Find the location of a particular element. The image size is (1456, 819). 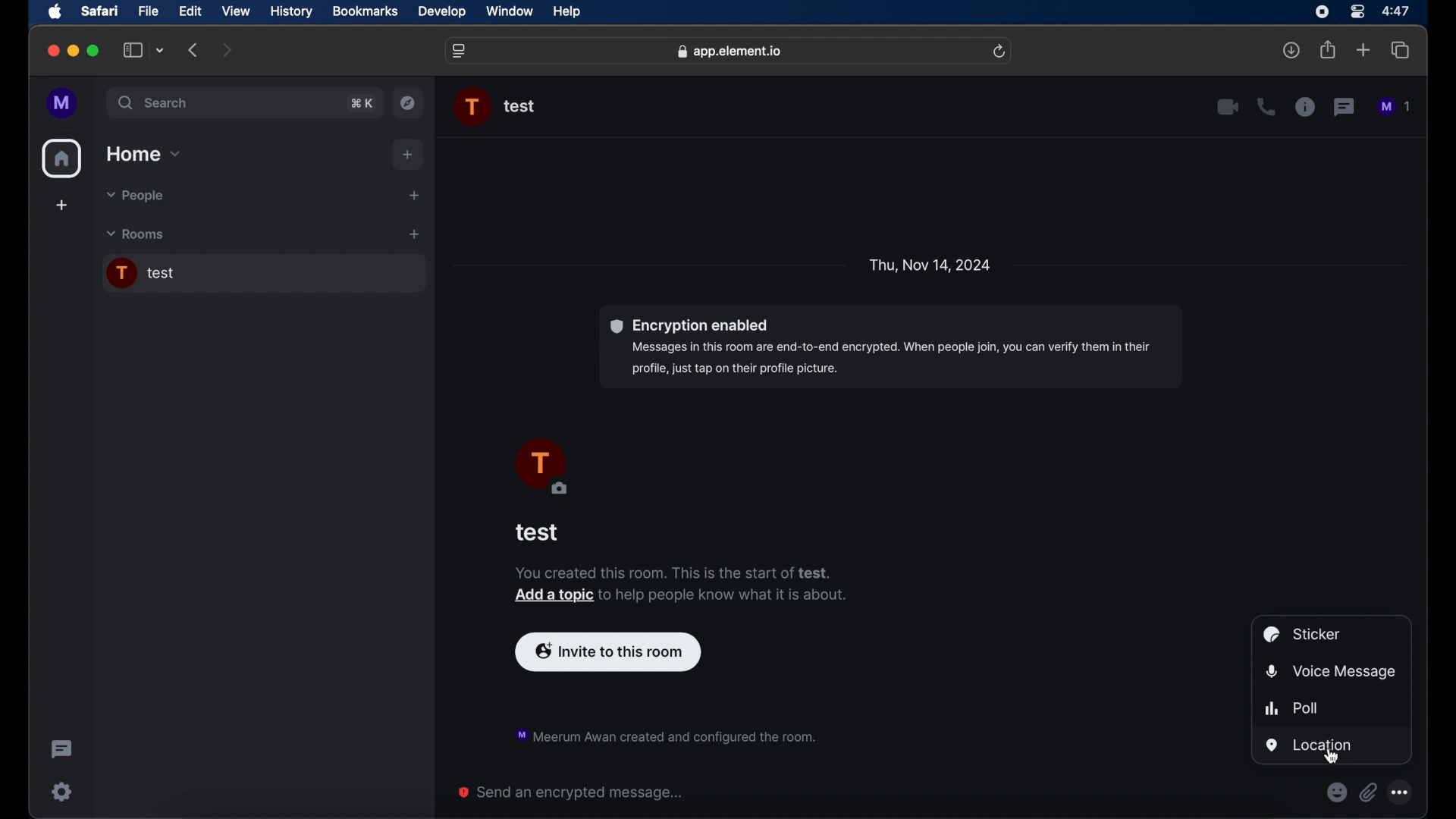

show tab overview is located at coordinates (1401, 51).